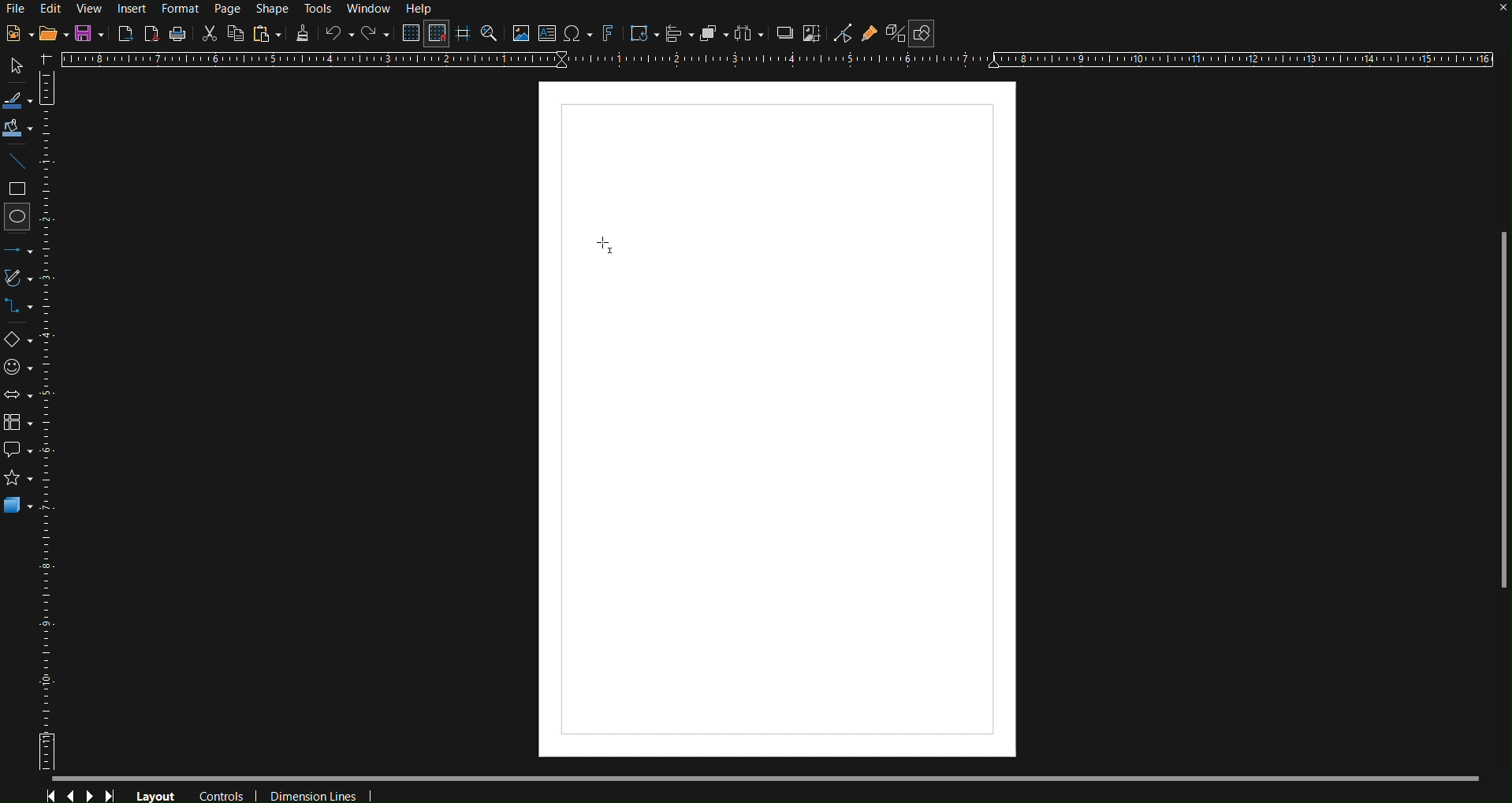 Image resolution: width=1512 pixels, height=803 pixels. What do you see at coordinates (811, 35) in the screenshot?
I see `Crop Image` at bounding box center [811, 35].